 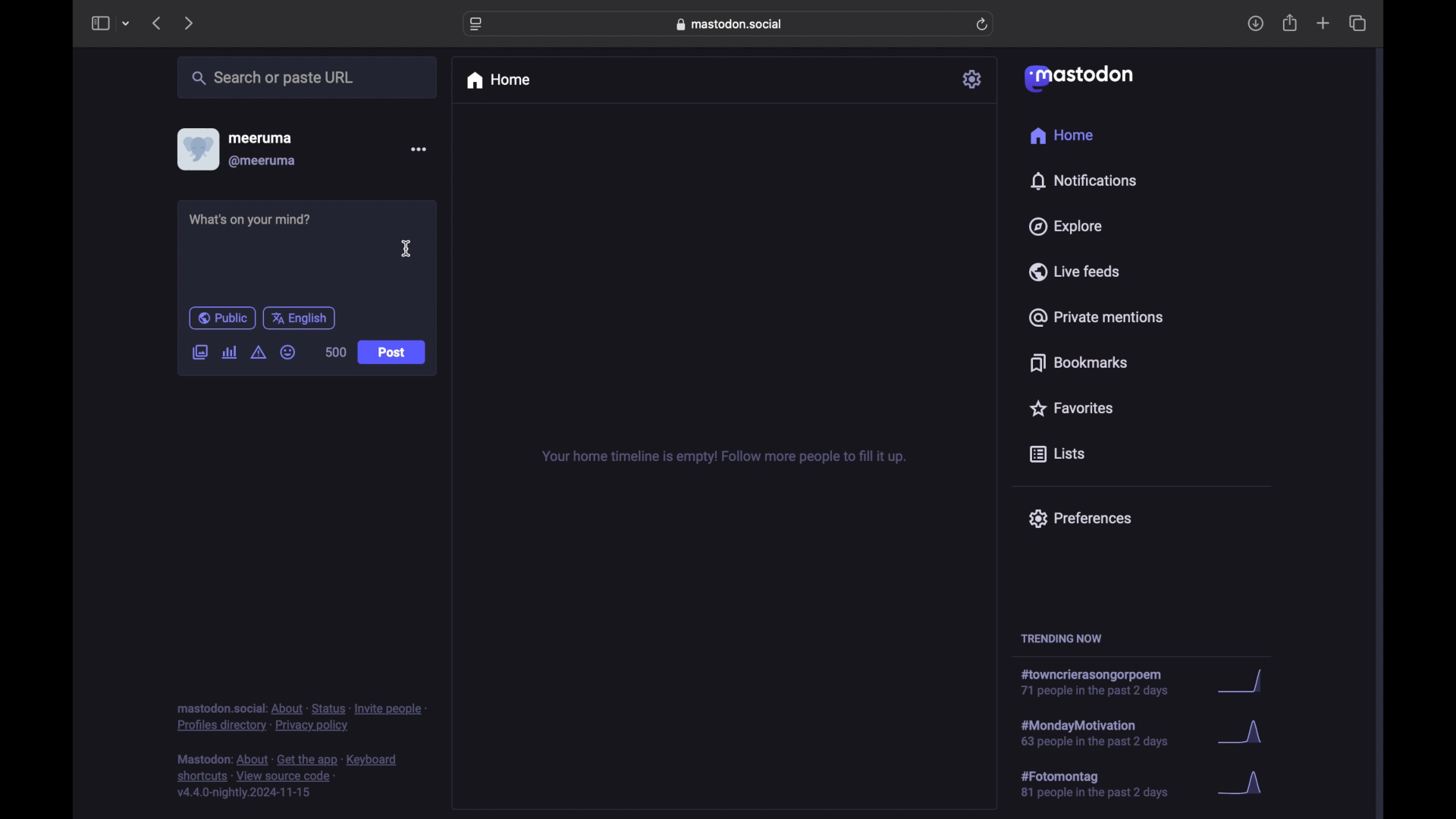 I want to click on public, so click(x=222, y=318).